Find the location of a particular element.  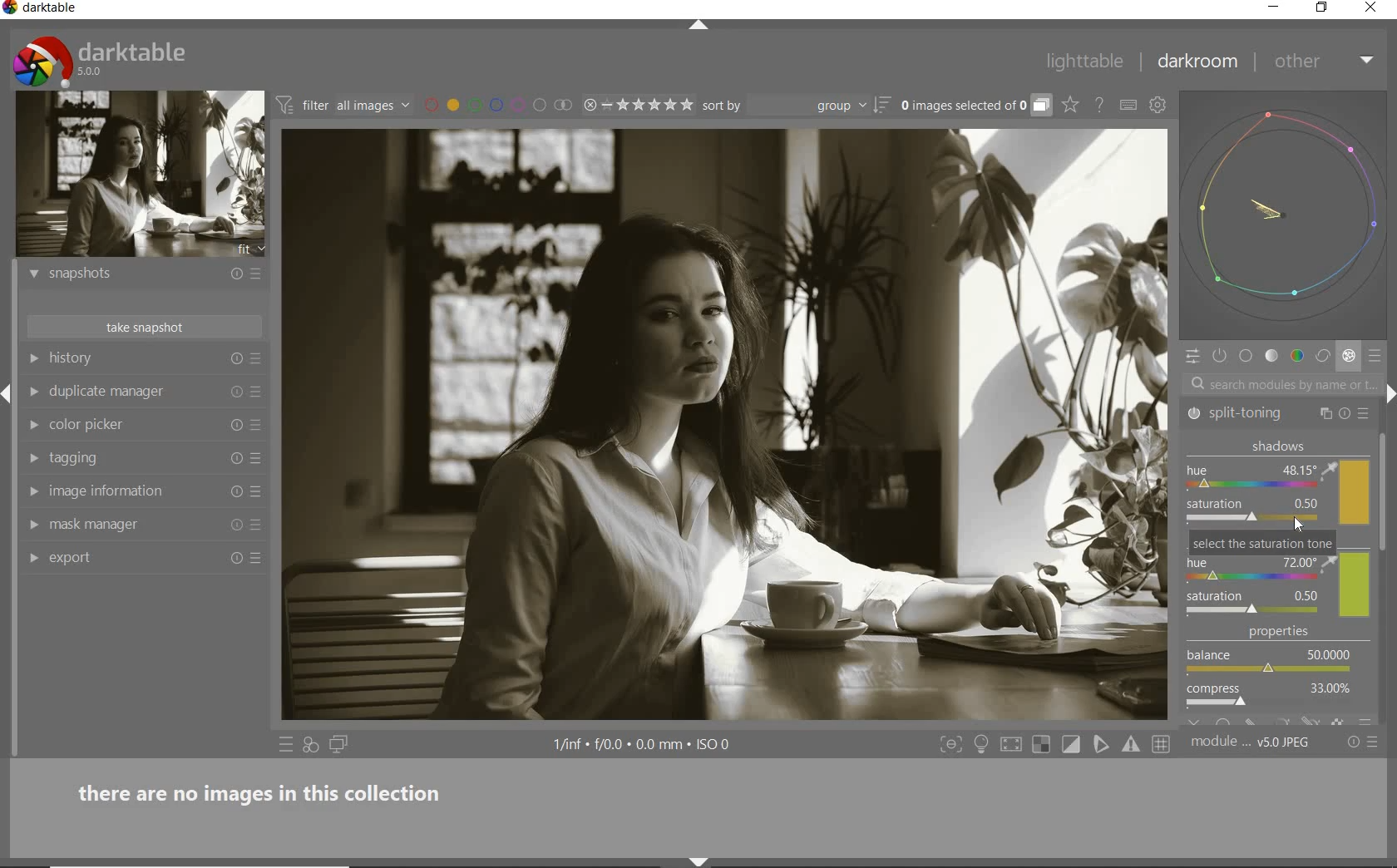

scrollbar is located at coordinates (1386, 491).